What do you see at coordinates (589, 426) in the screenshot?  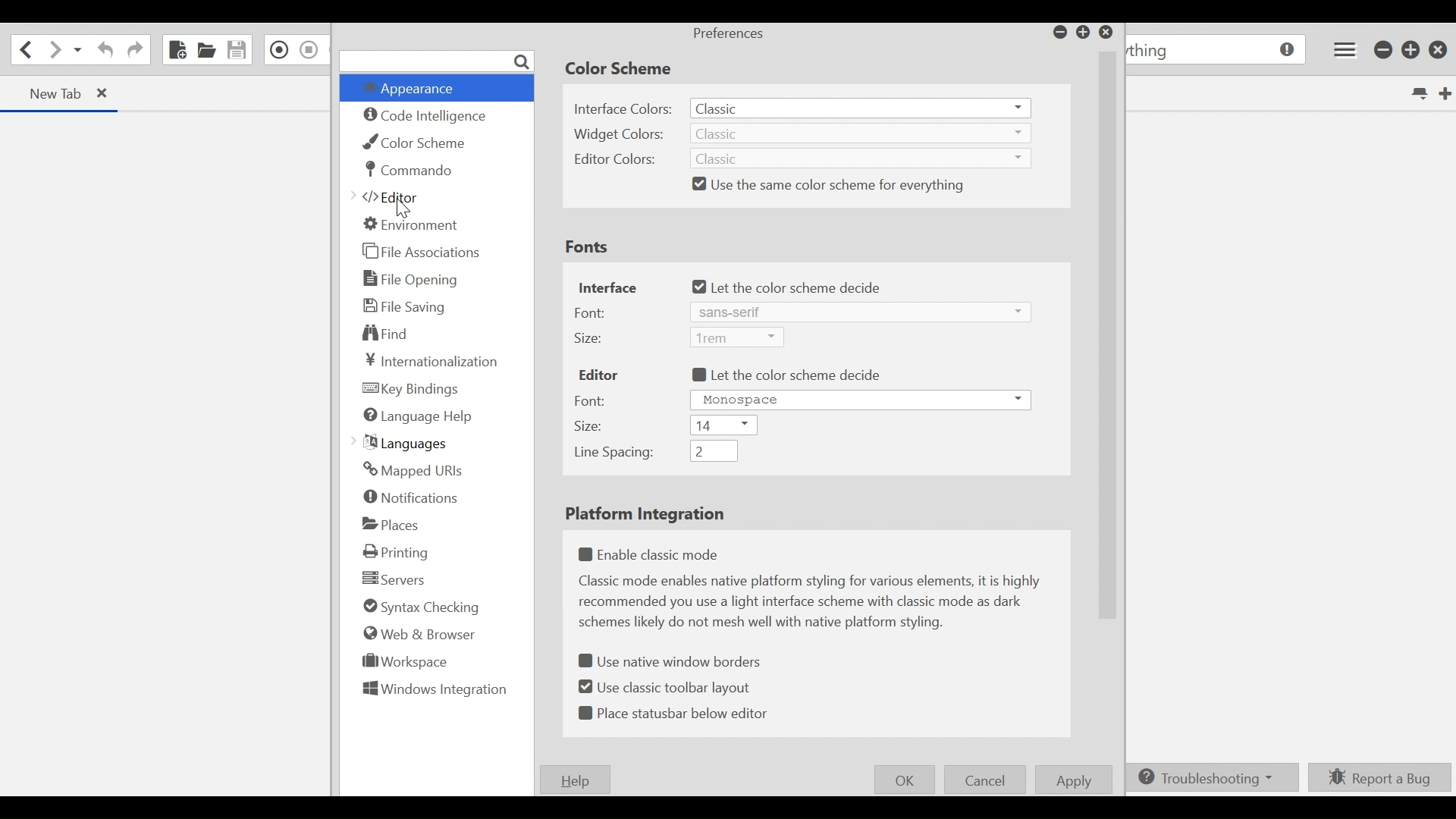 I see `Size` at bounding box center [589, 426].